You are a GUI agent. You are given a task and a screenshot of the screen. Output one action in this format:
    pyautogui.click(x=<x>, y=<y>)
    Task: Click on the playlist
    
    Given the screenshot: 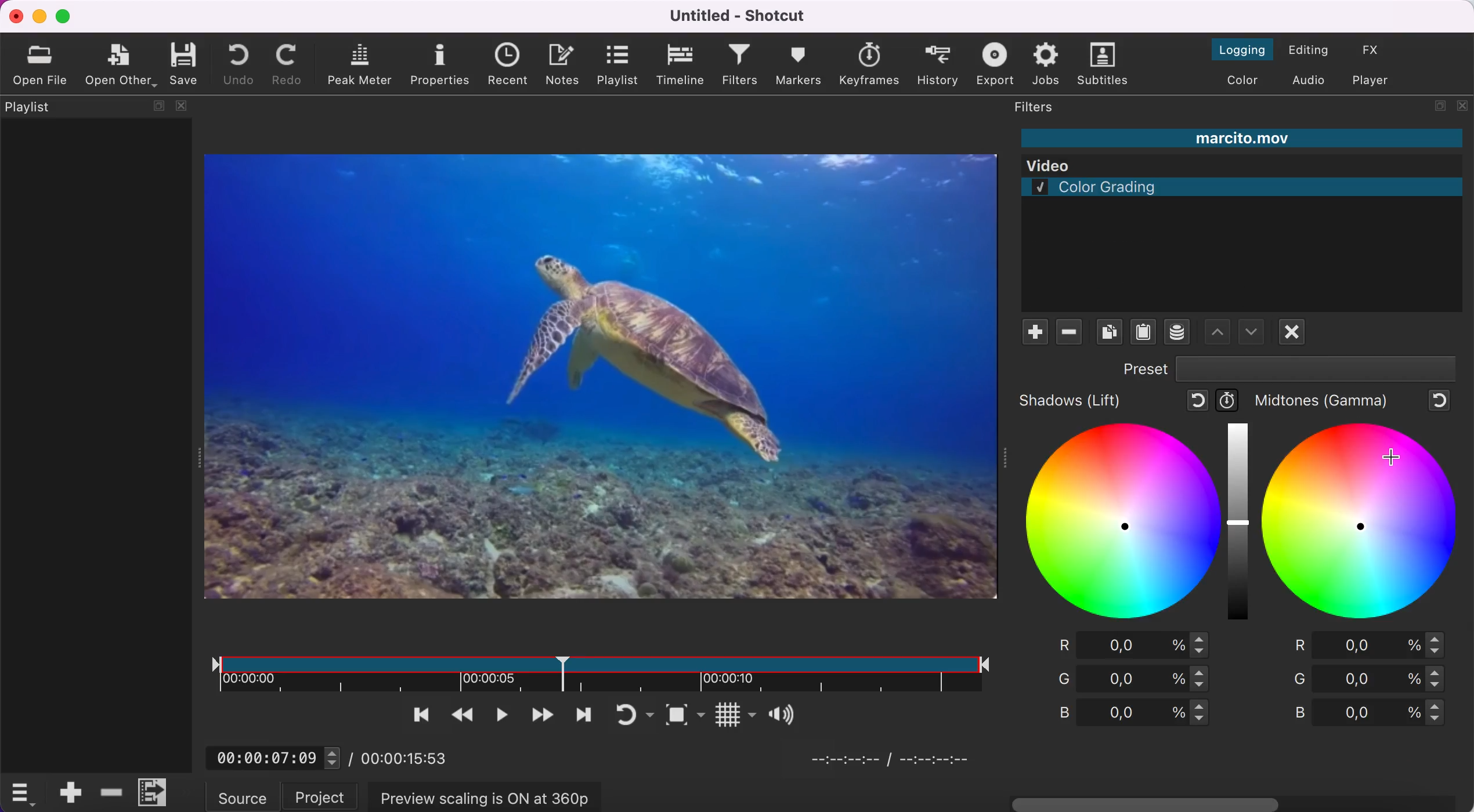 What is the action you would take?
    pyautogui.click(x=620, y=64)
    